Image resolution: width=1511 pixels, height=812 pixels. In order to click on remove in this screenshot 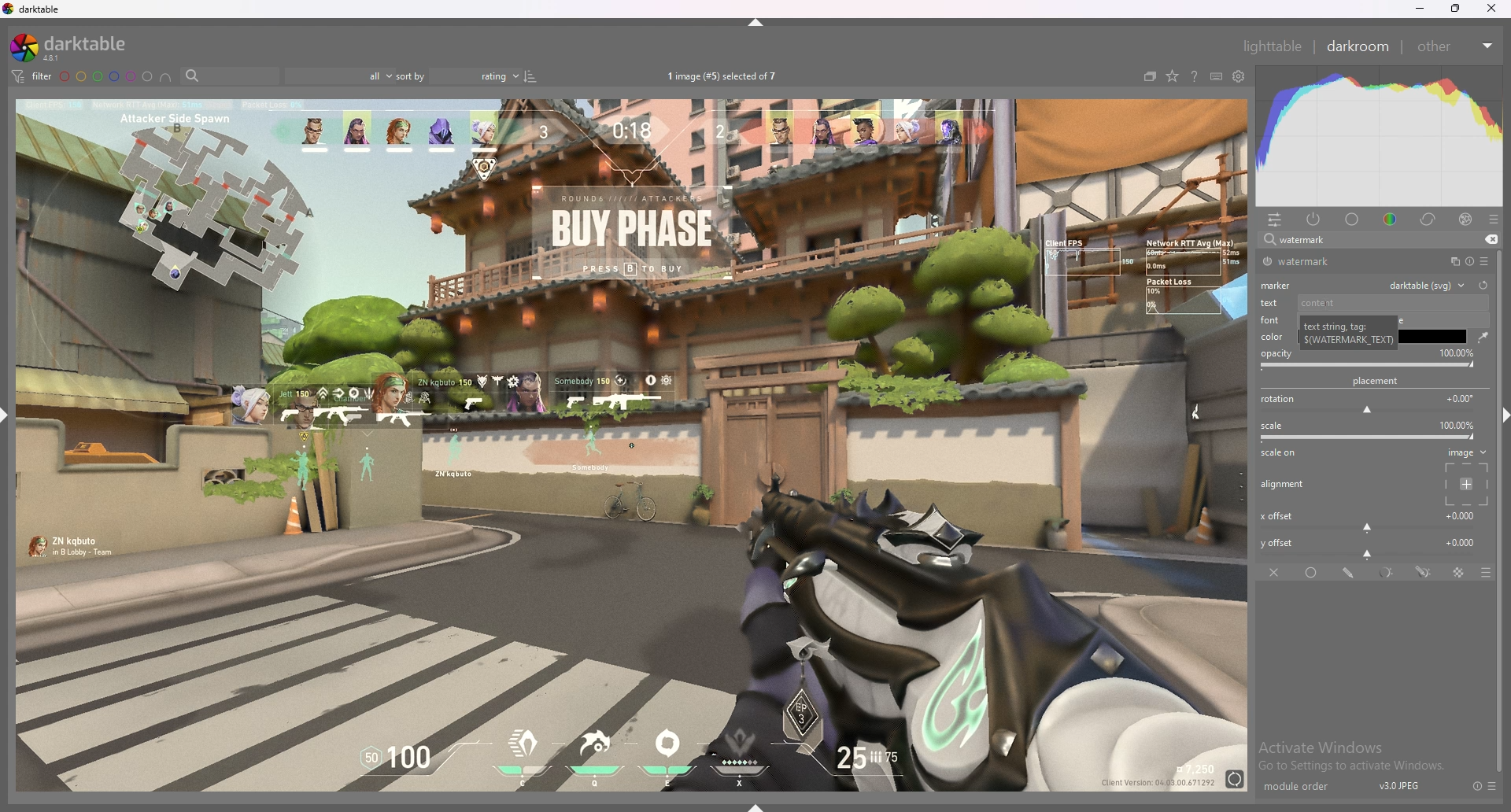, I will do `click(1489, 240)`.